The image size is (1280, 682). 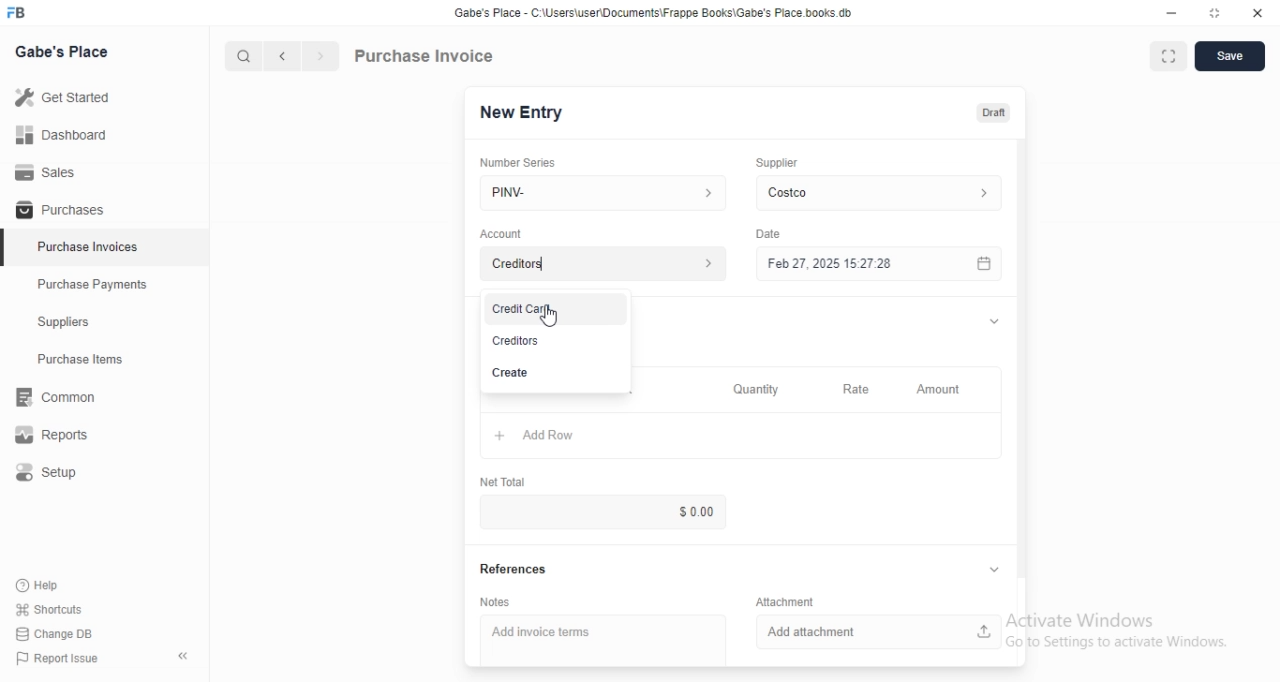 What do you see at coordinates (322, 56) in the screenshot?
I see `Next` at bounding box center [322, 56].